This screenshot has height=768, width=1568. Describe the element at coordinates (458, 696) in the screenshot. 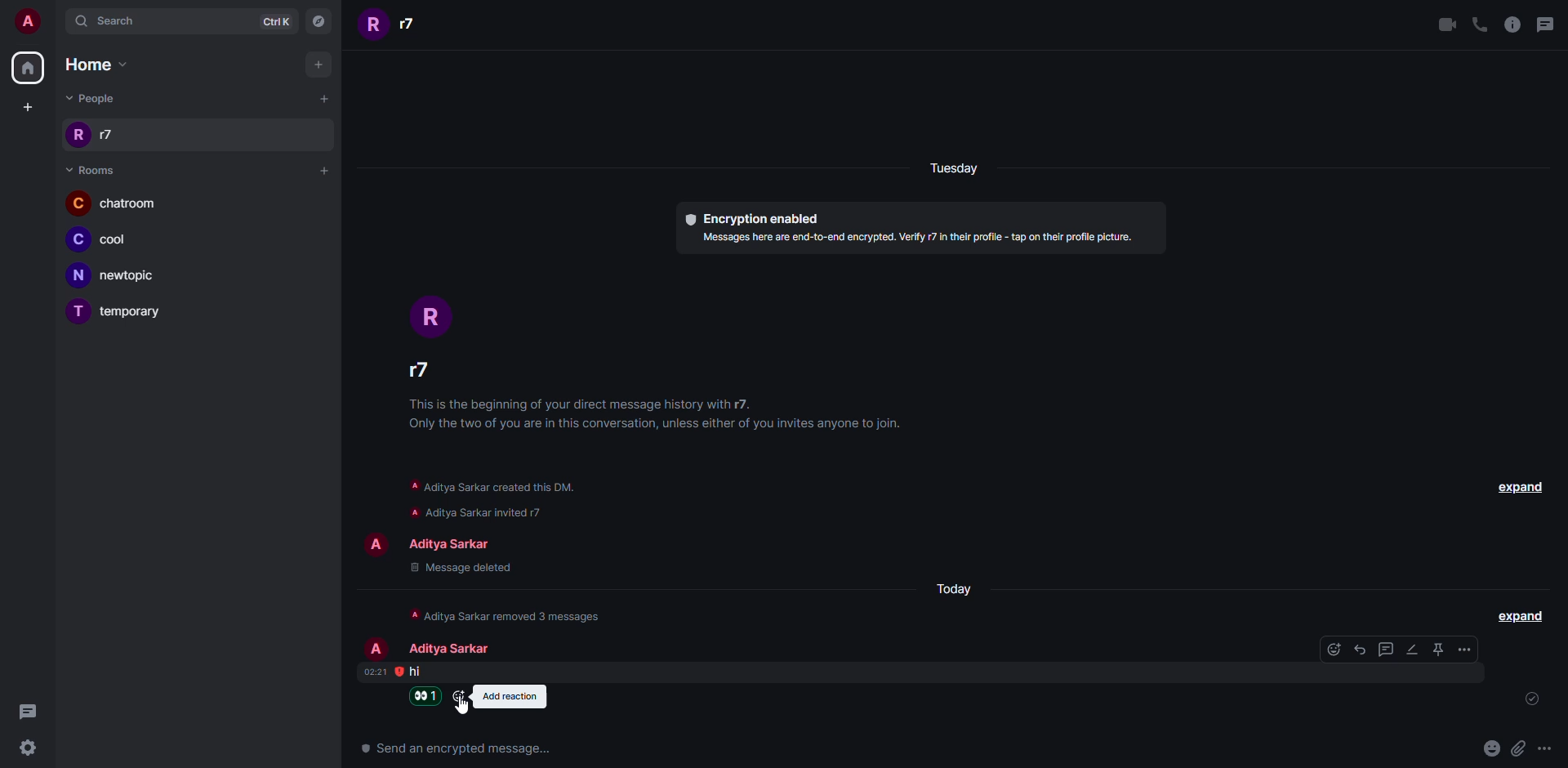

I see `react` at that location.